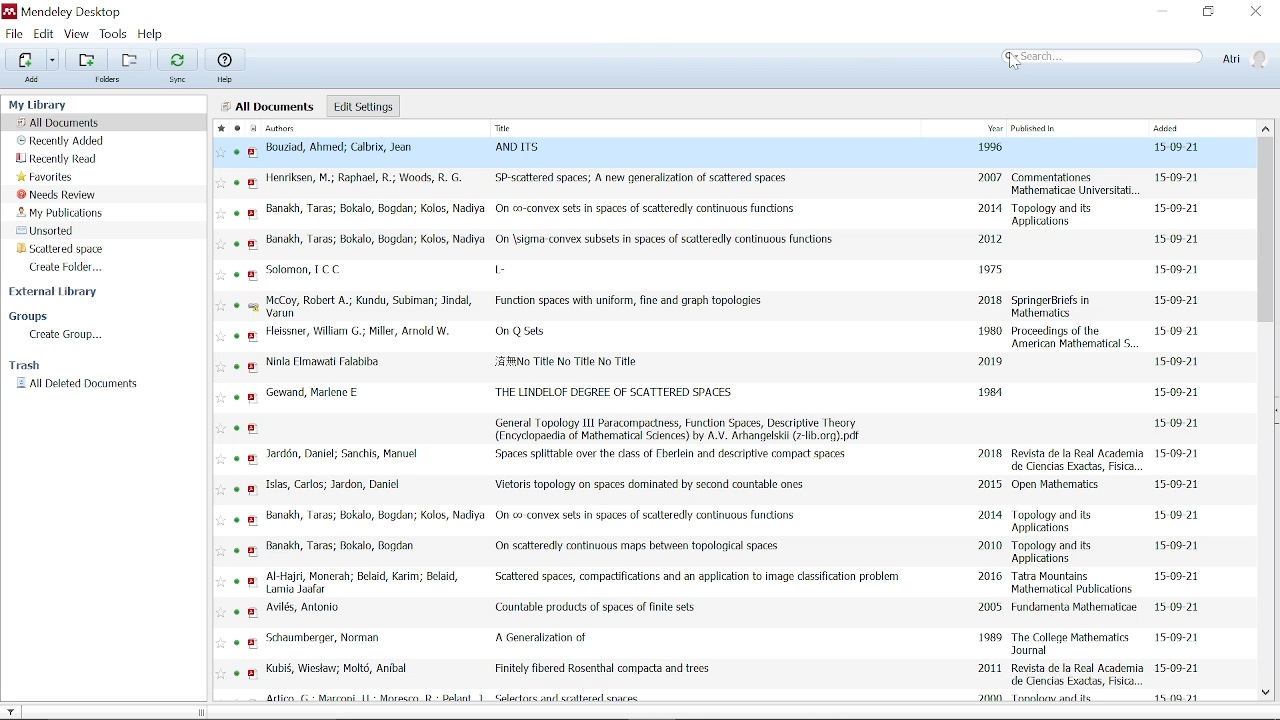 This screenshot has height=720, width=1280. What do you see at coordinates (727, 520) in the screenshot?
I see `Banakh, Taras; Bokalo, Bogdan; Kolos, Nadiya On co convex sels in spaces of scalteredly continuous fundions 2014 Topology and its Applications 15-09-21` at bounding box center [727, 520].